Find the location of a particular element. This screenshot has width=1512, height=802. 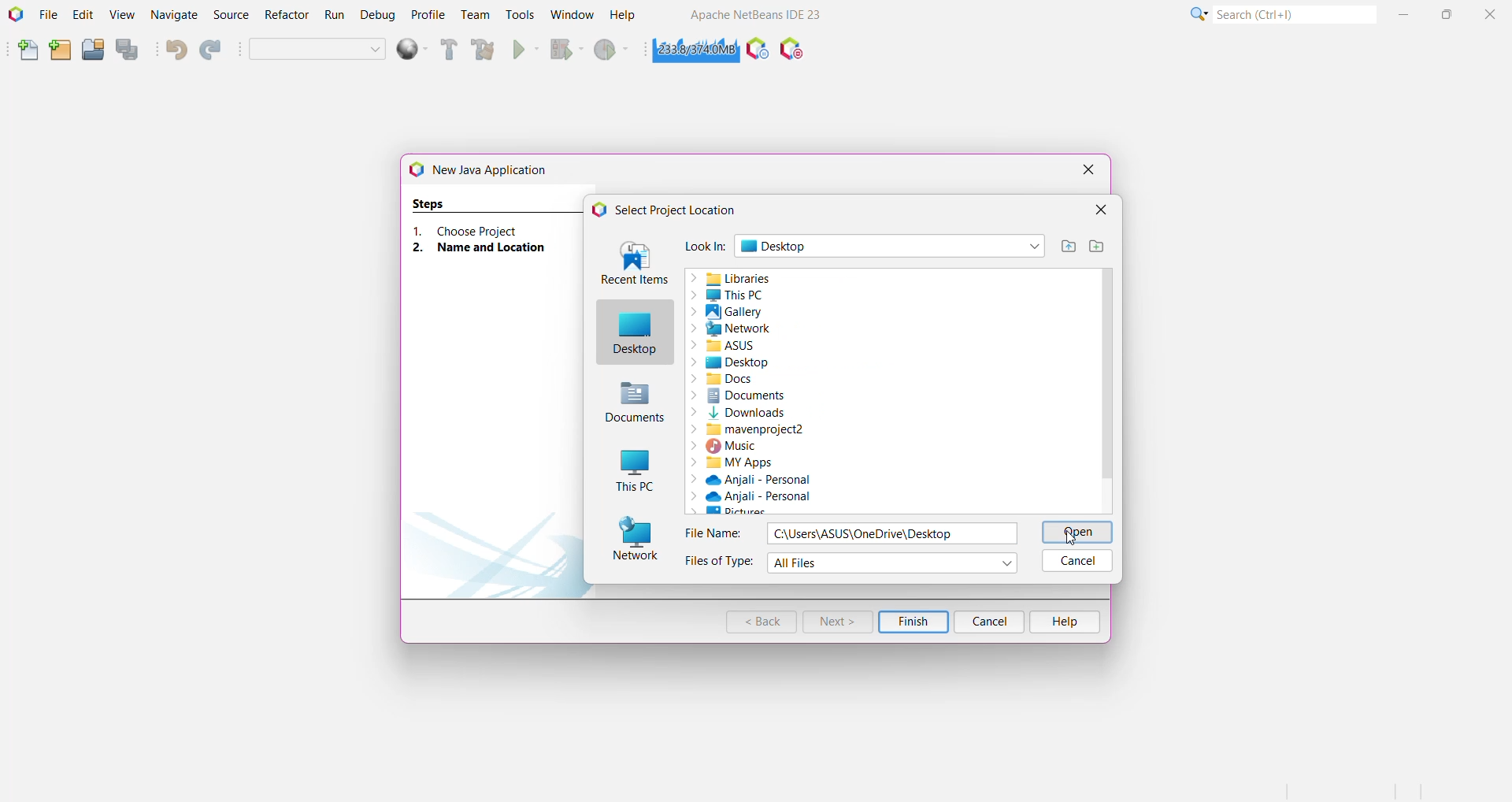

Look In is located at coordinates (705, 247).